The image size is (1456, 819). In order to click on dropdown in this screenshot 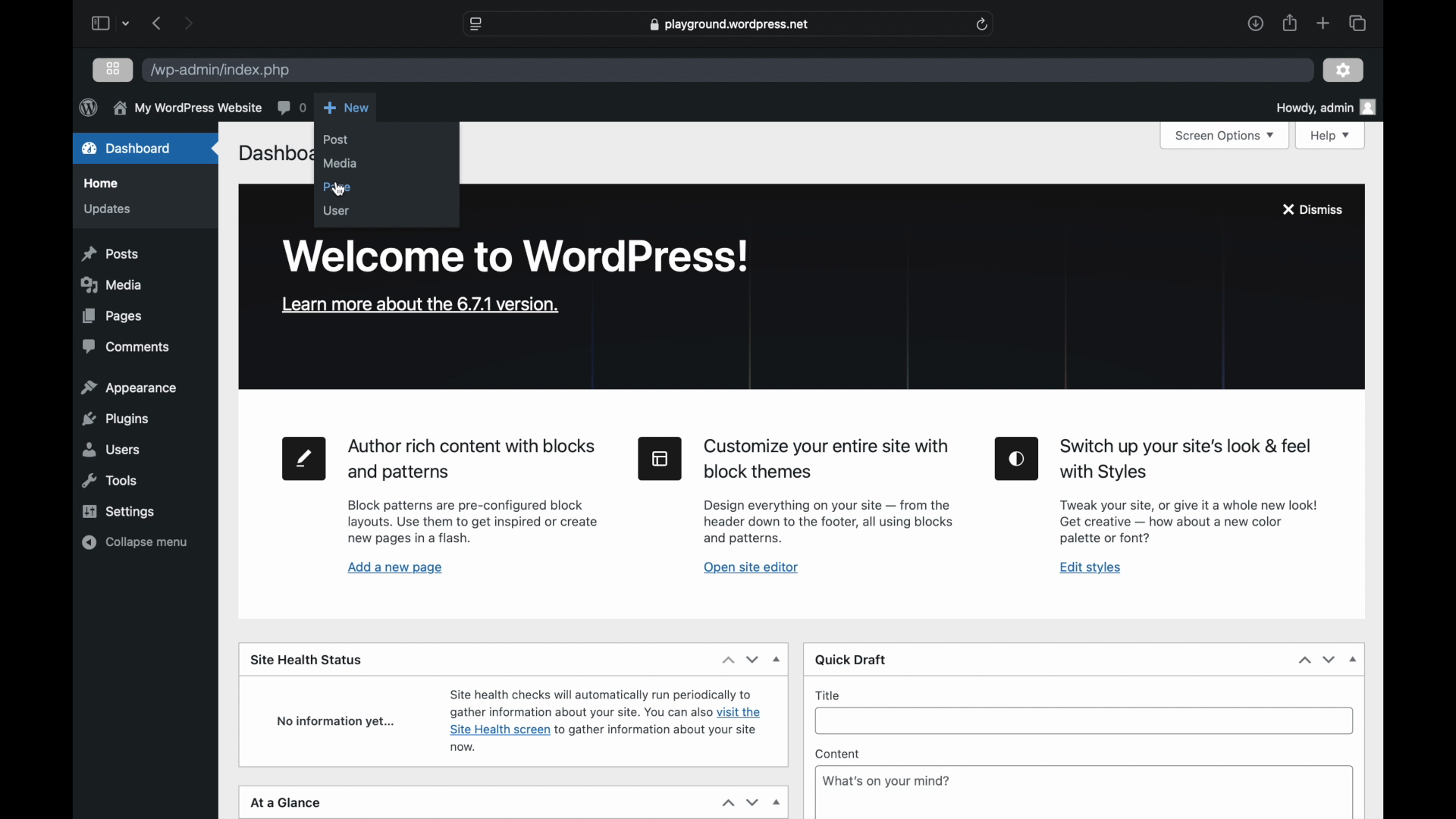, I will do `click(777, 659)`.